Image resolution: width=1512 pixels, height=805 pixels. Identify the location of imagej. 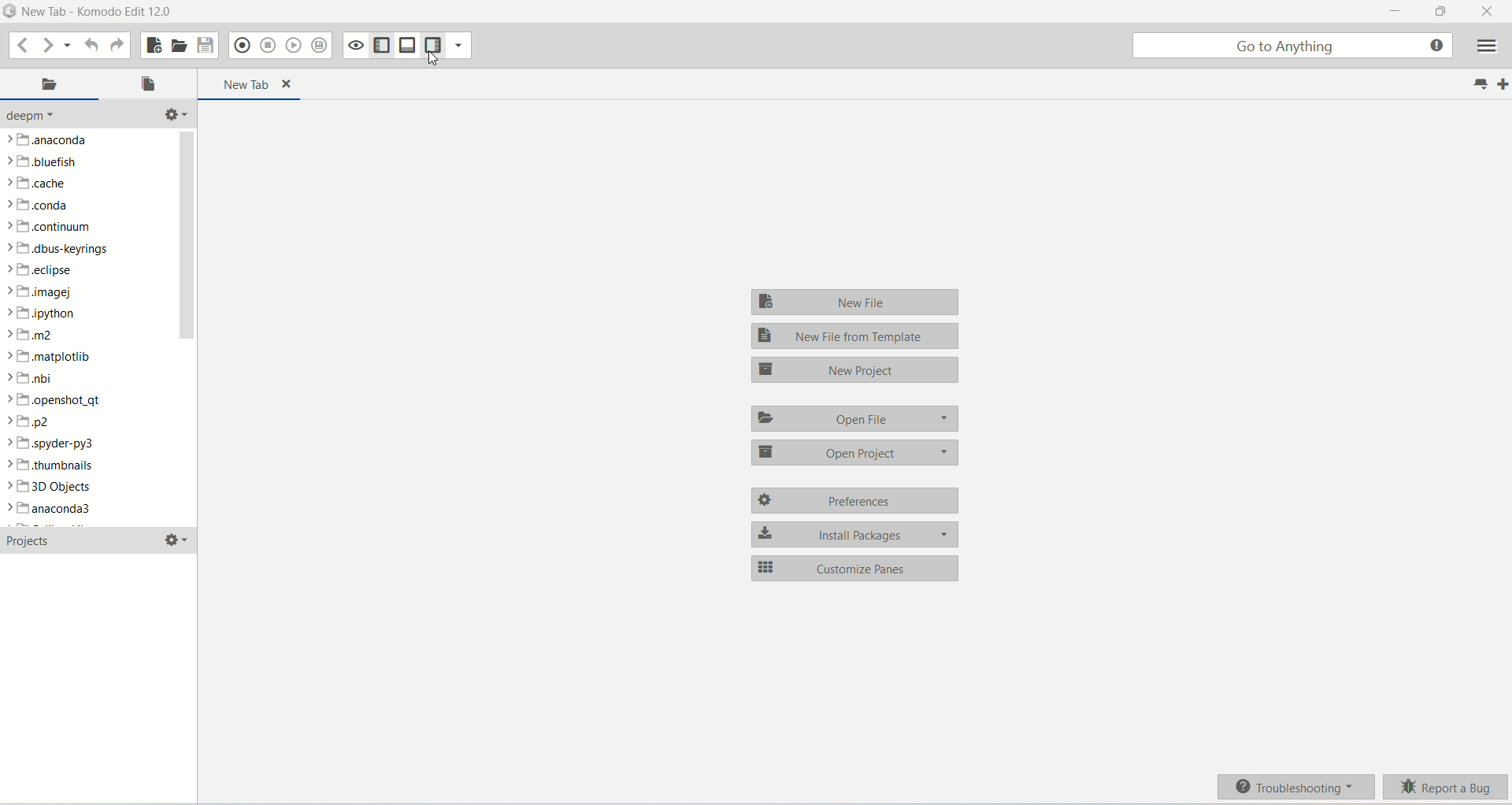
(48, 293).